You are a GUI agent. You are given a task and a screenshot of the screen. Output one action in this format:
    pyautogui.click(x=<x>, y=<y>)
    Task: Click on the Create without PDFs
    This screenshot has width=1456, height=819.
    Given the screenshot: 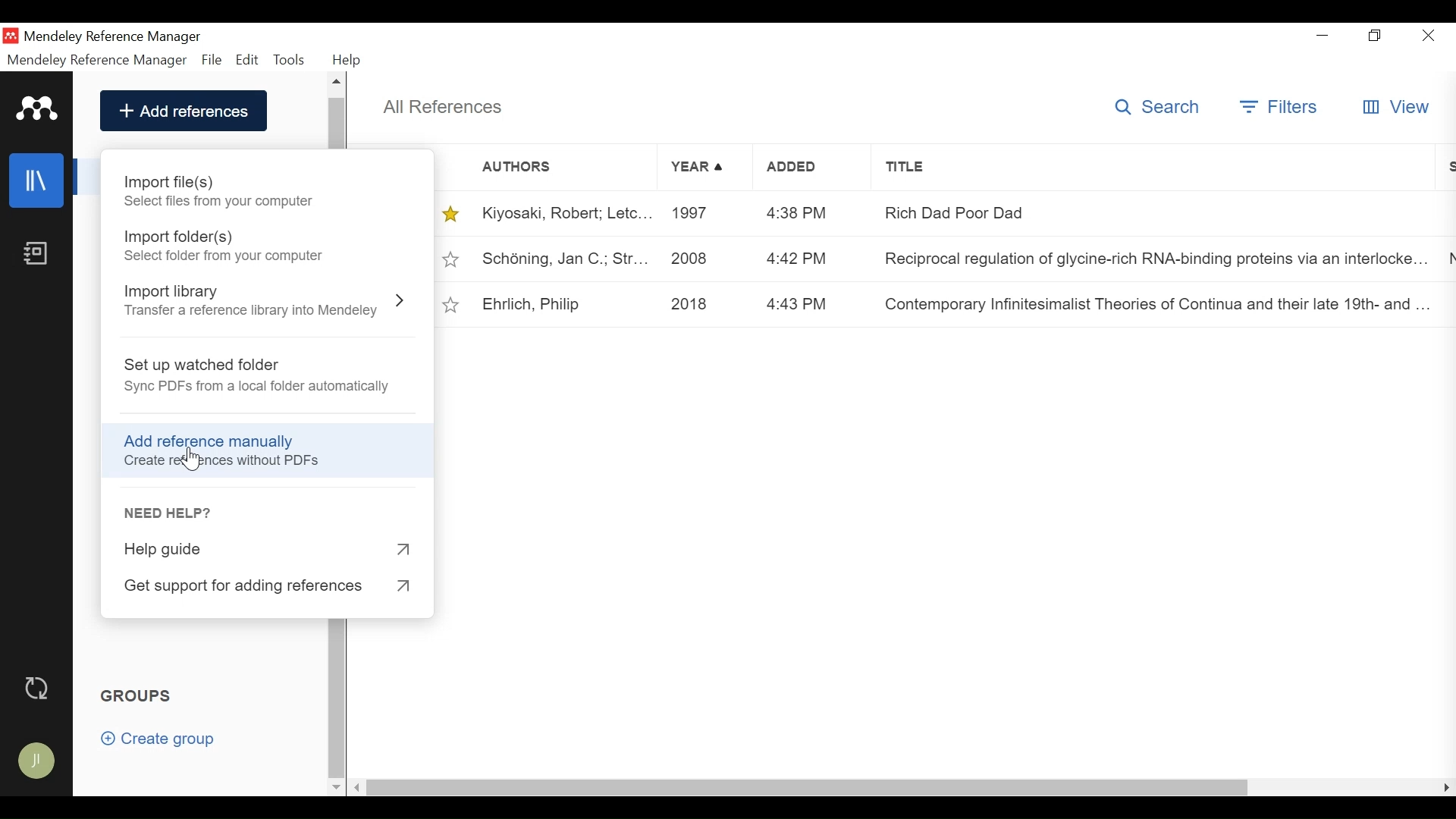 What is the action you would take?
    pyautogui.click(x=220, y=462)
    